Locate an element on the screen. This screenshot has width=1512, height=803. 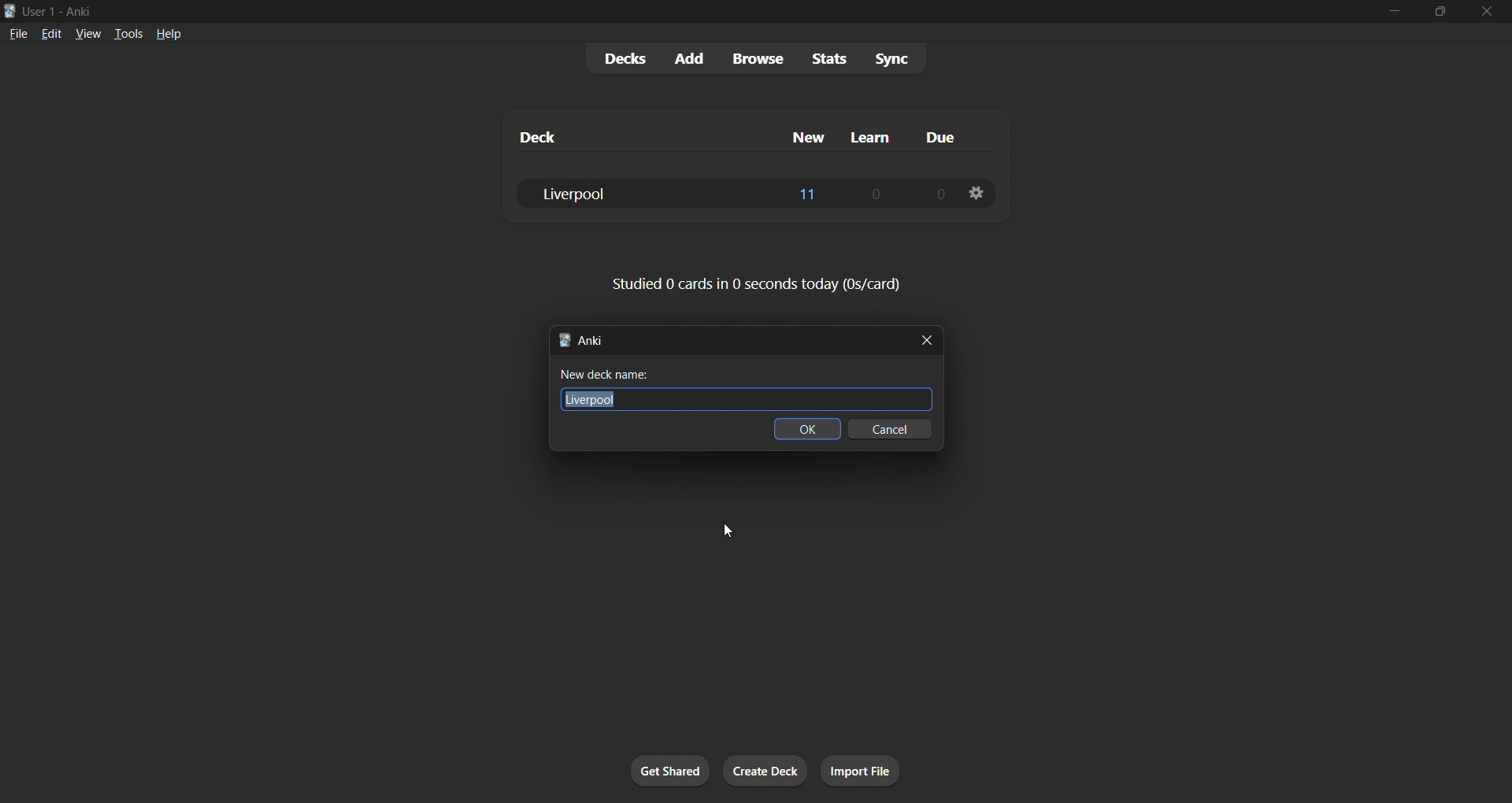
deck options is located at coordinates (977, 195).